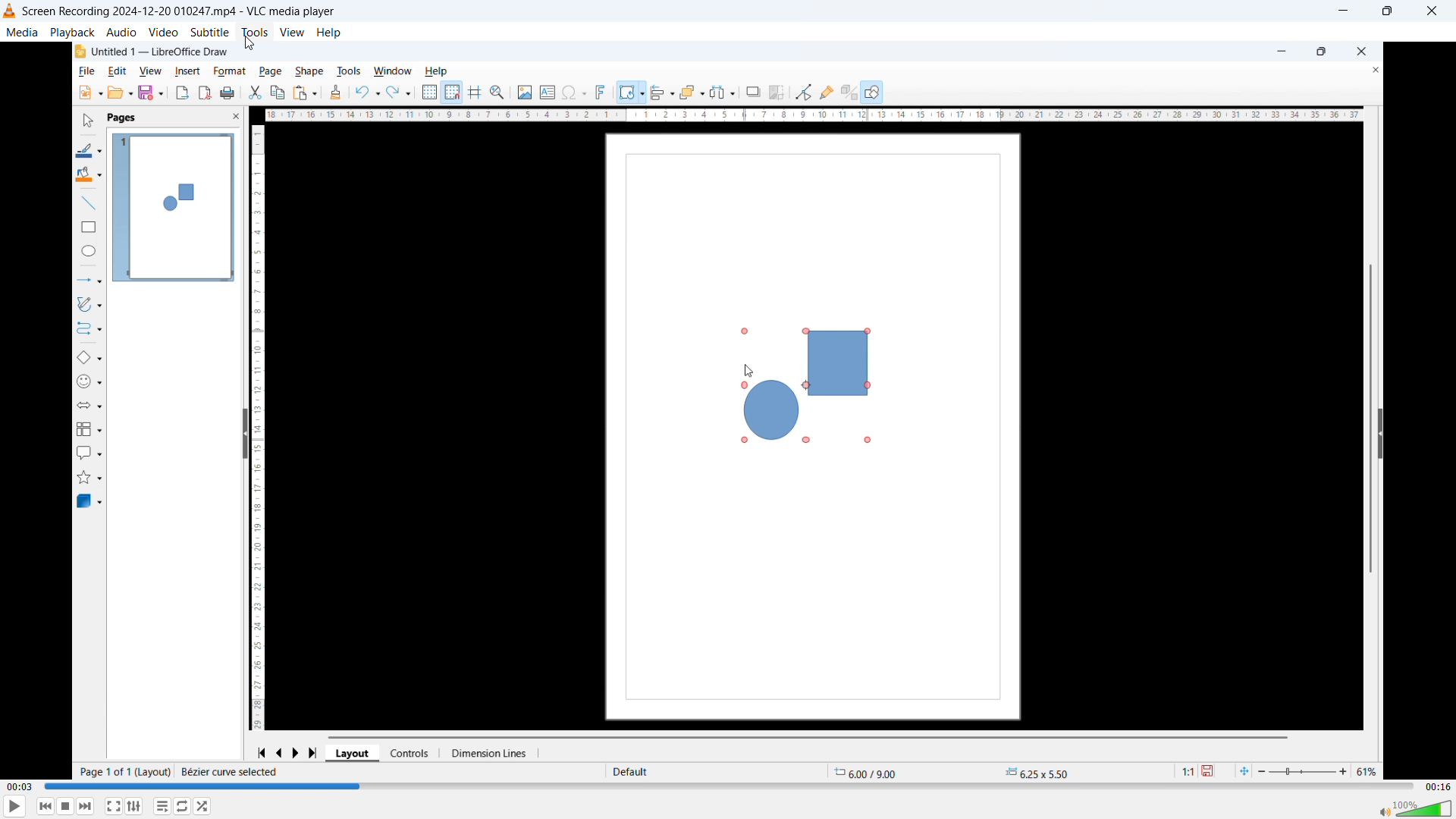 The height and width of the screenshot is (819, 1456). What do you see at coordinates (162, 806) in the screenshot?
I see `Toggle playlist` at bounding box center [162, 806].